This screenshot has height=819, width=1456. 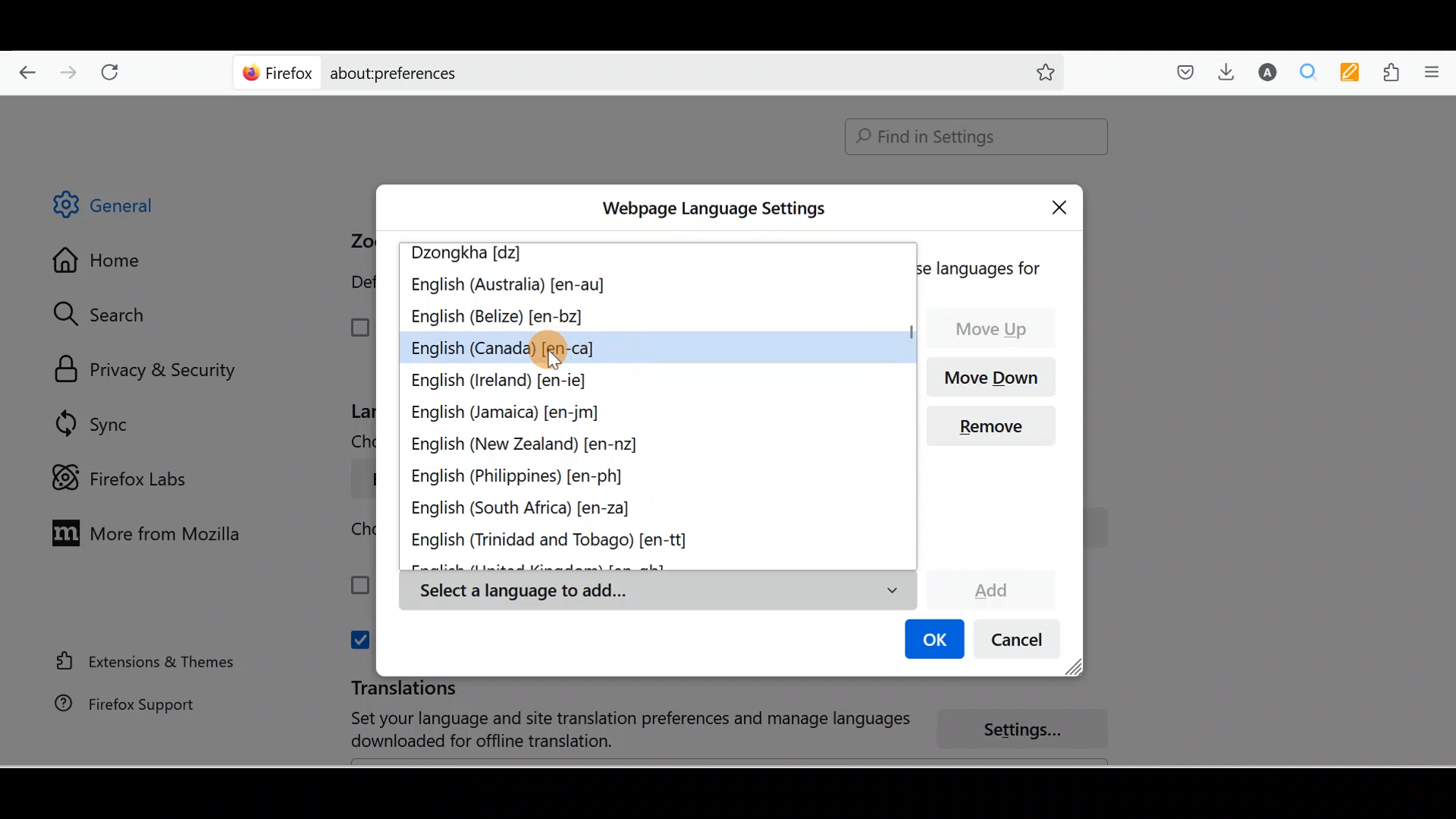 What do you see at coordinates (657, 591) in the screenshot?
I see `Select a language to add` at bounding box center [657, 591].